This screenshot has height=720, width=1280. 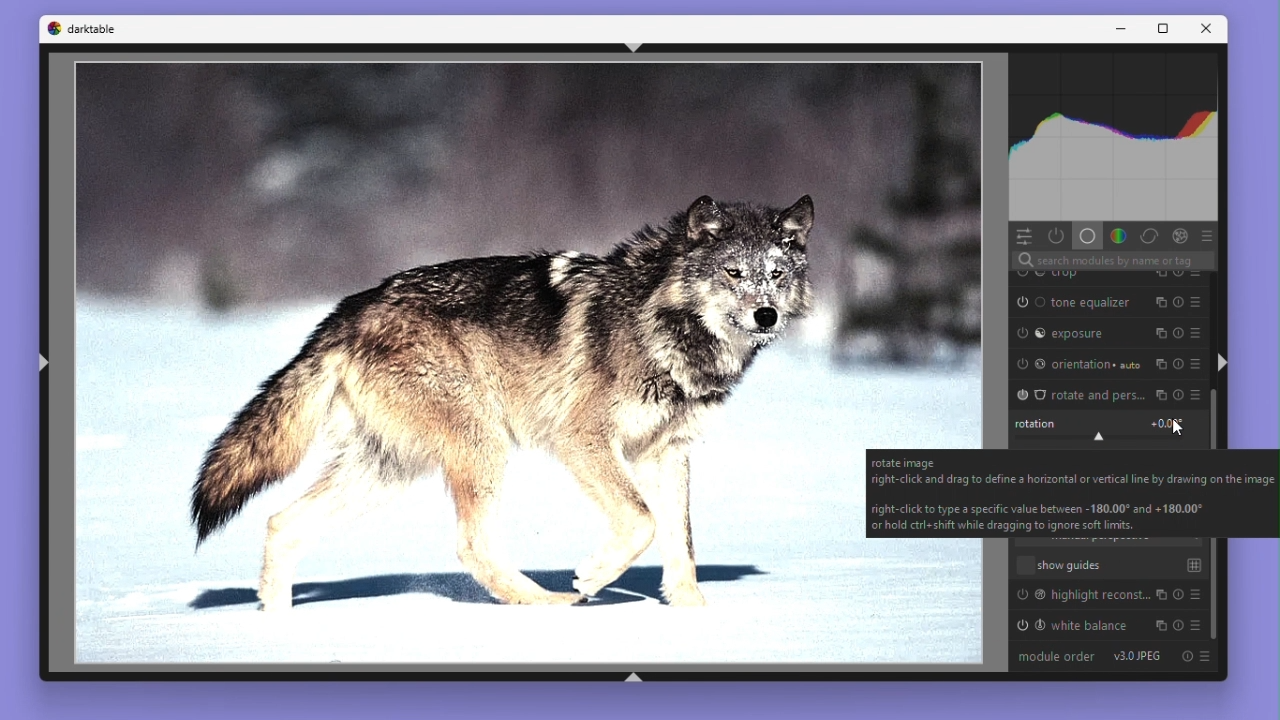 What do you see at coordinates (1056, 656) in the screenshot?
I see `Module order` at bounding box center [1056, 656].